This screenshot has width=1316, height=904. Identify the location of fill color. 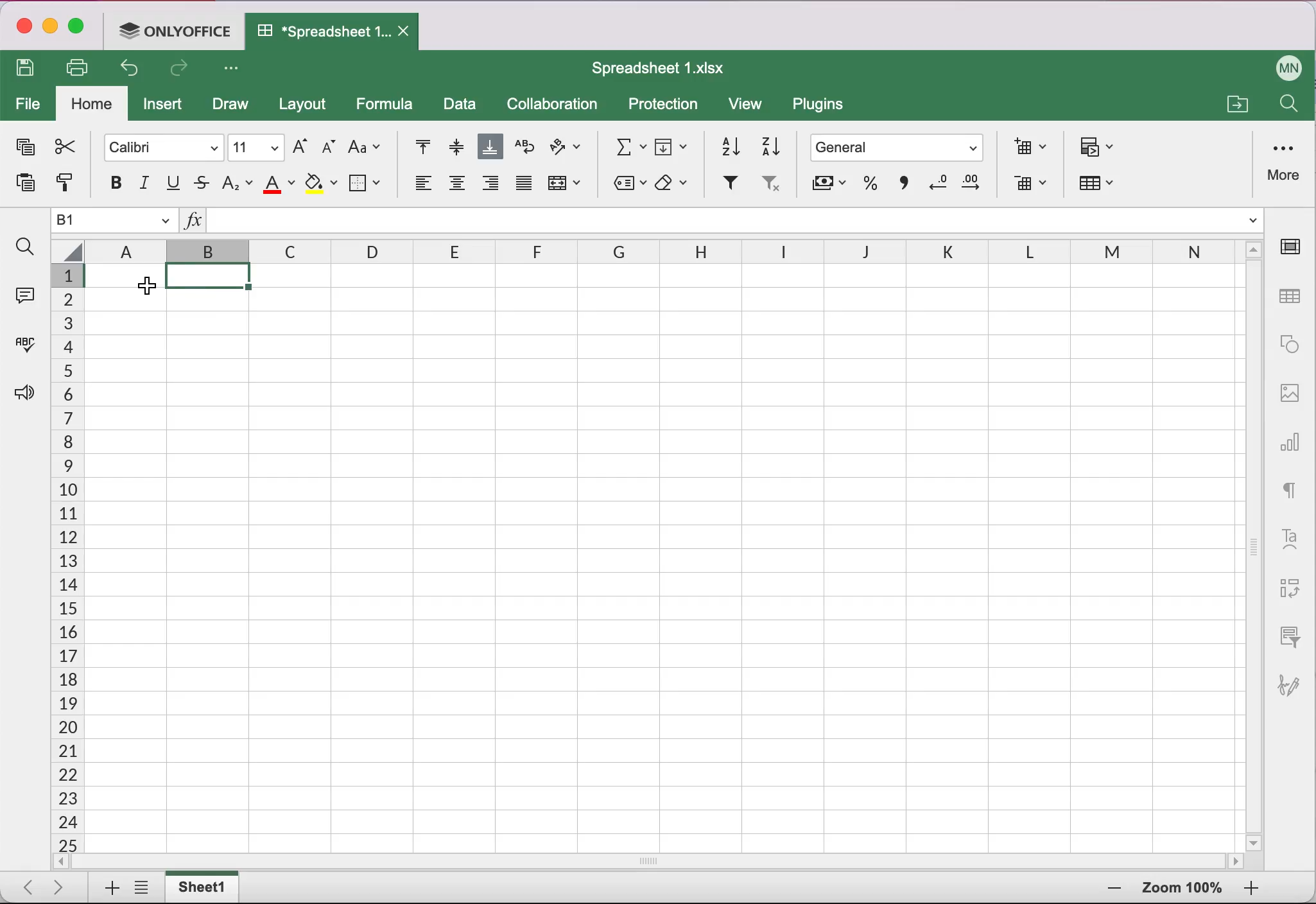
(321, 184).